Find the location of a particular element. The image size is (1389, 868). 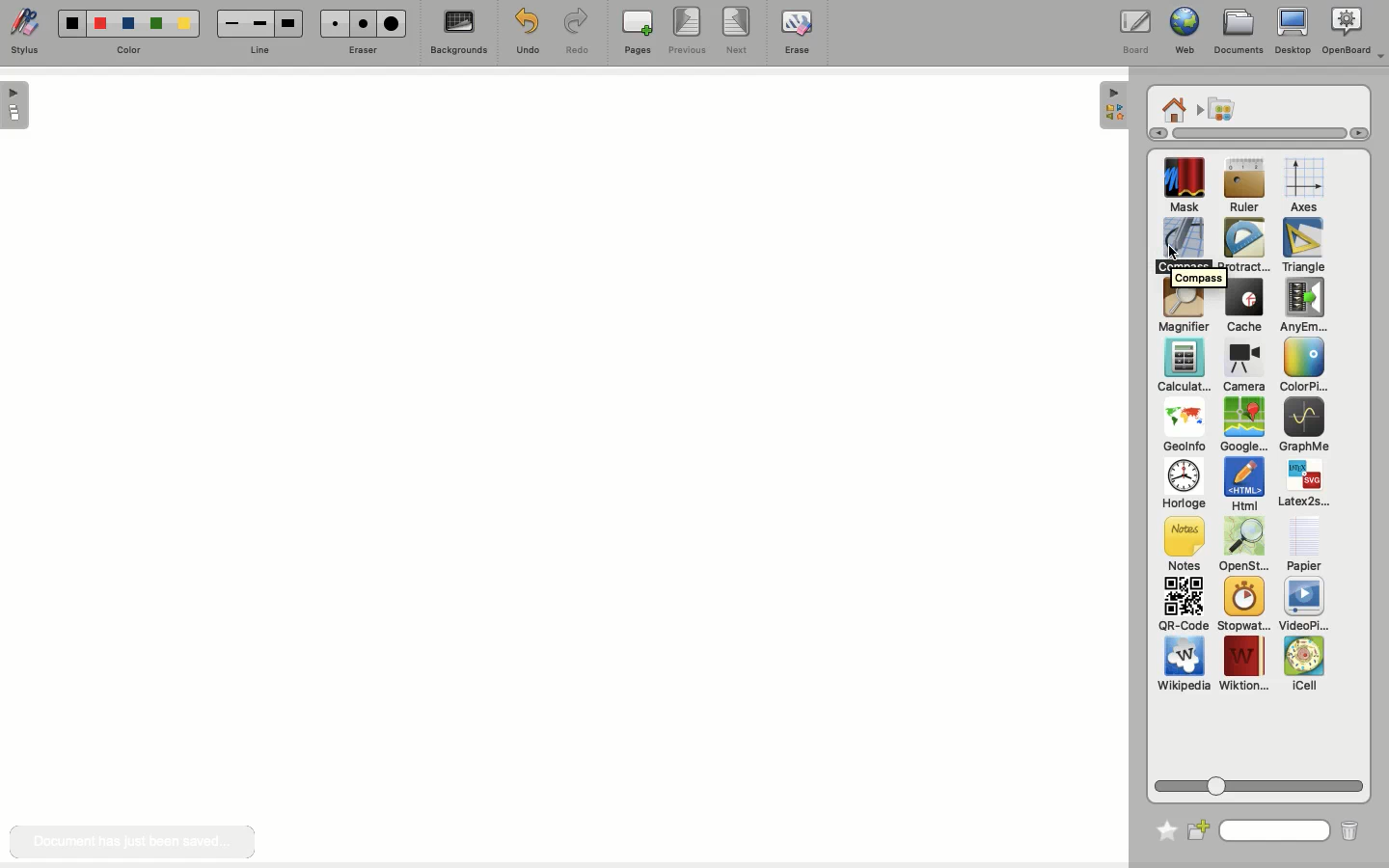

Calculator is located at coordinates (1184, 366).